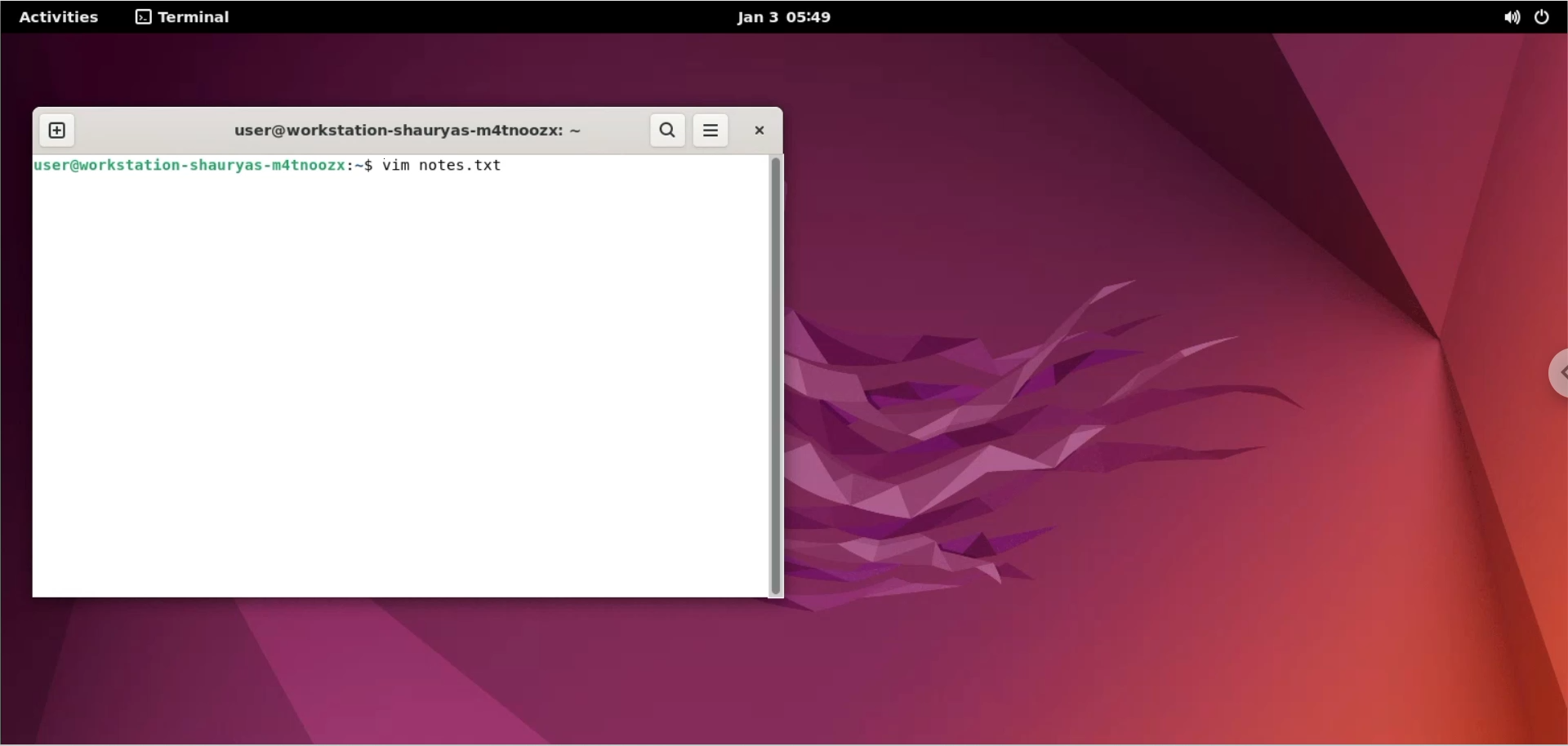 The height and width of the screenshot is (746, 1568). I want to click on sound options, so click(1508, 20).